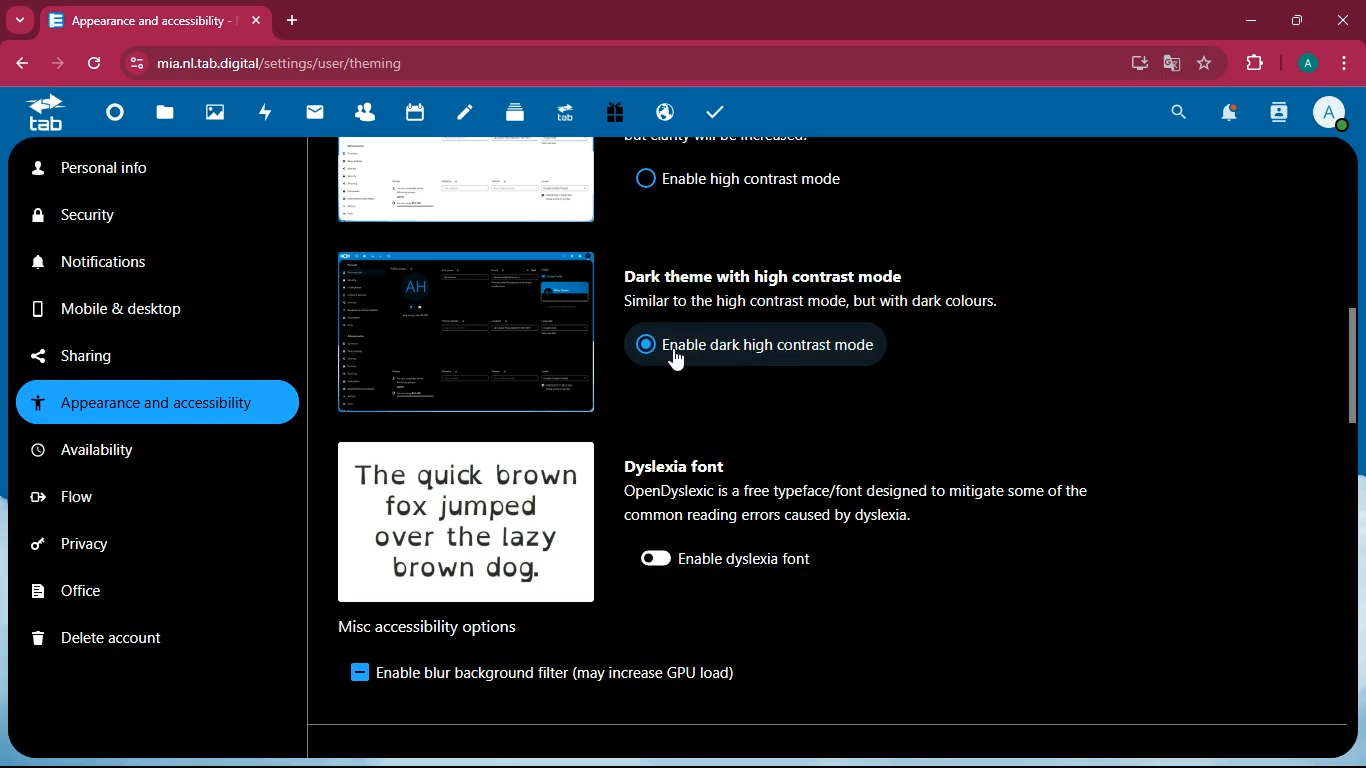 The image size is (1366, 768). I want to click on options, so click(429, 625).